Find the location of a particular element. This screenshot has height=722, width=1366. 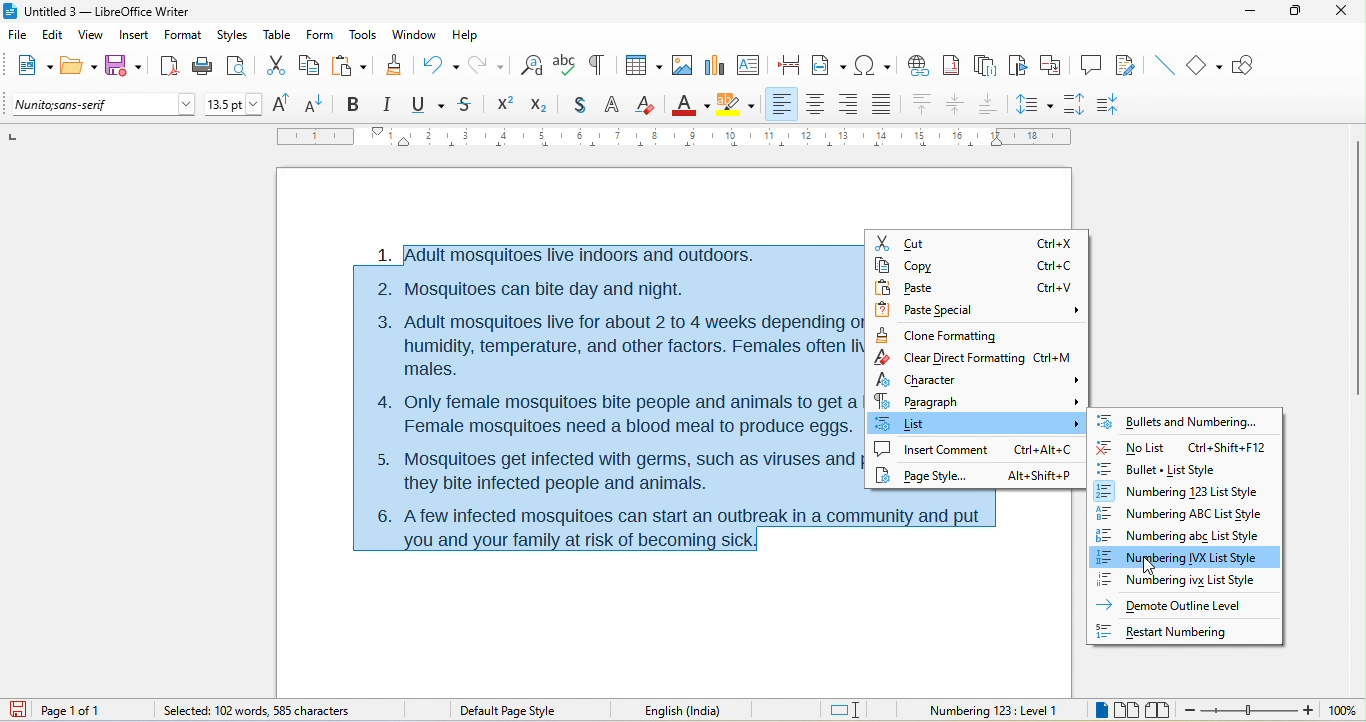

numbering ivx list style is located at coordinates (1185, 580).